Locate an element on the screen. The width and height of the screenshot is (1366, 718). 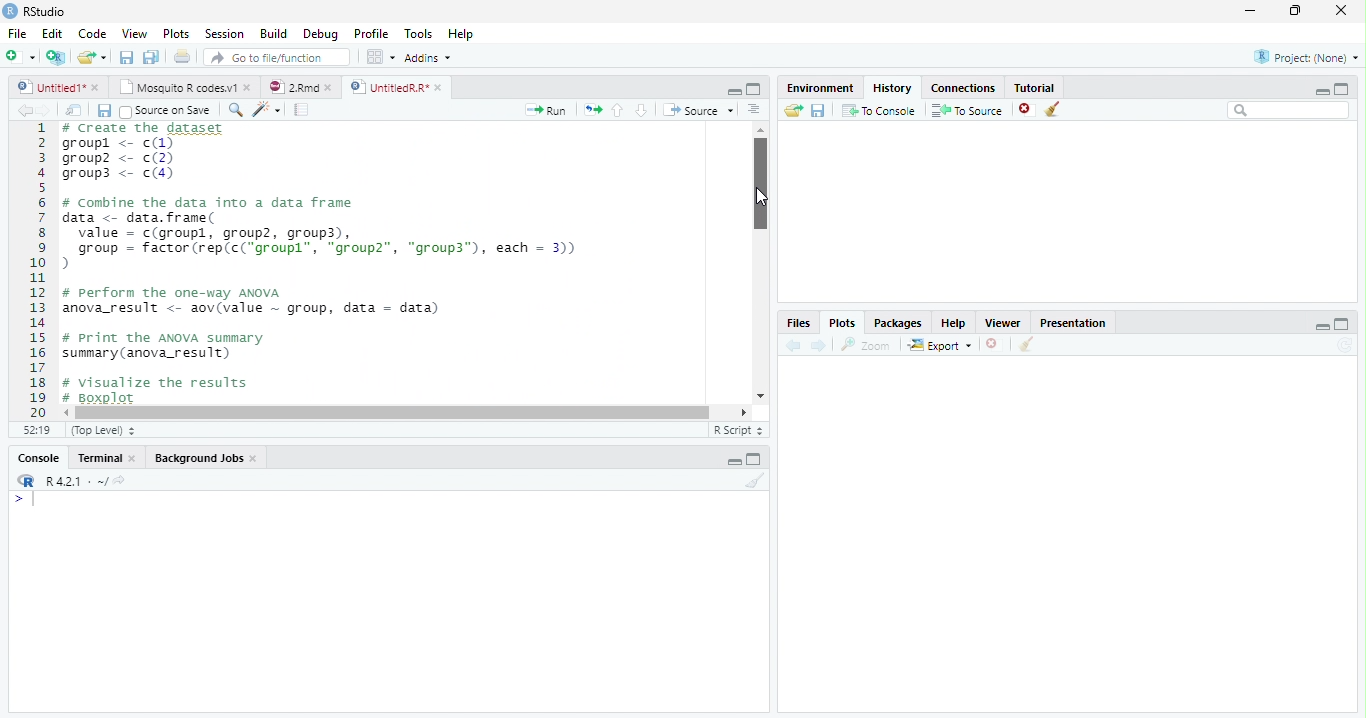
History is located at coordinates (893, 87).